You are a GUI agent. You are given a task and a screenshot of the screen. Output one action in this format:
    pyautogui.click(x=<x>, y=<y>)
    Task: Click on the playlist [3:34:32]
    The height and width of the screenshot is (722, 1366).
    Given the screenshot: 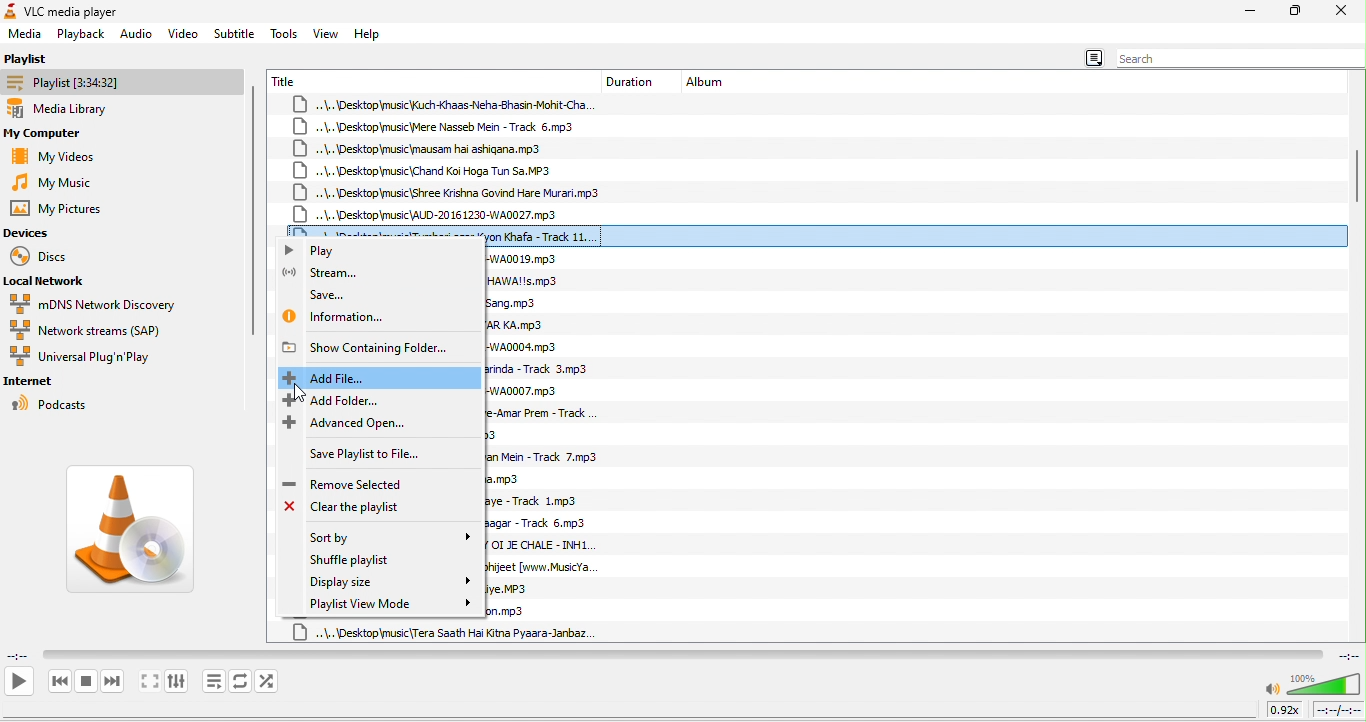 What is the action you would take?
    pyautogui.click(x=120, y=81)
    